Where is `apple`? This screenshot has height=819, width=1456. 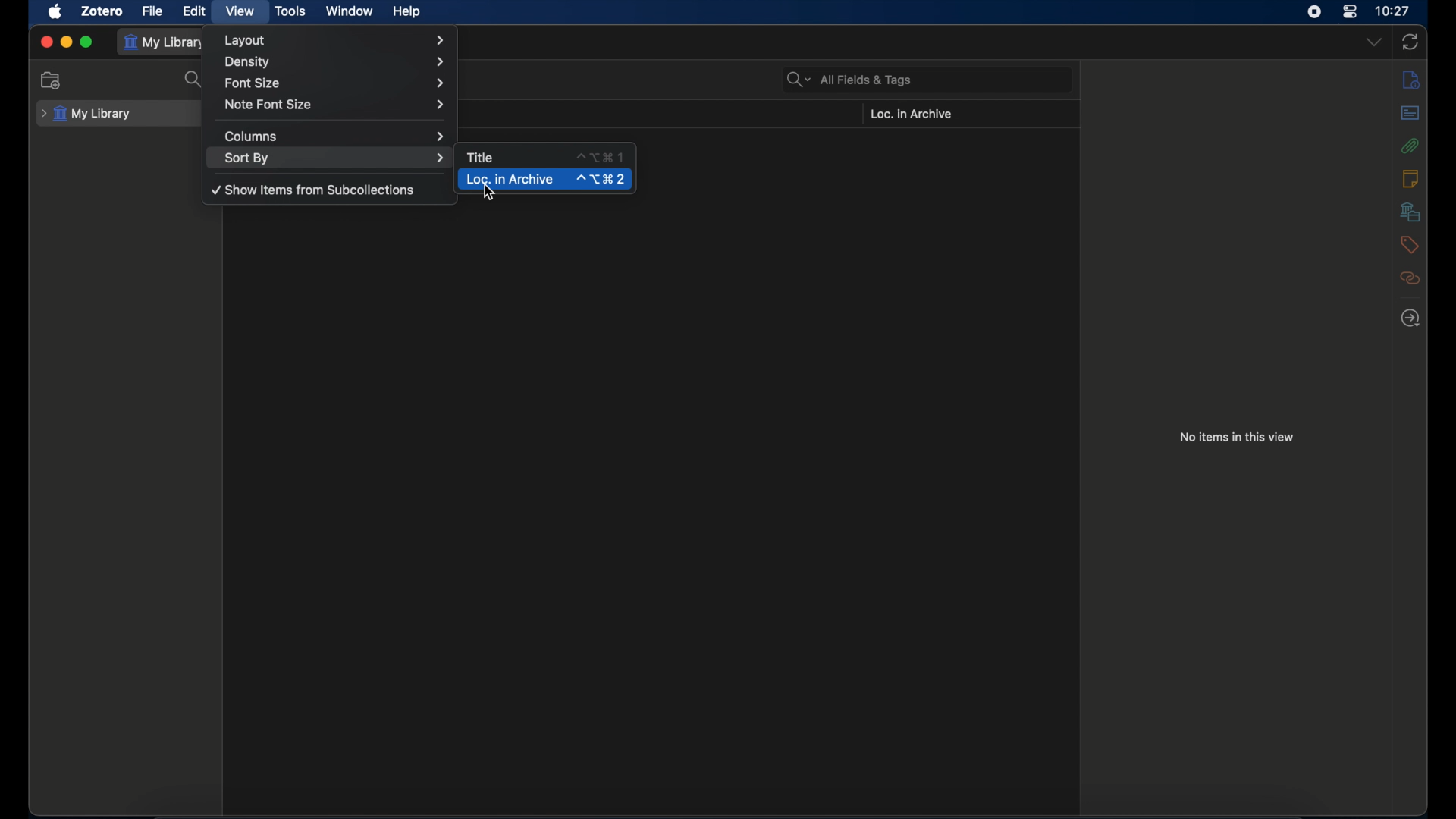 apple is located at coordinates (55, 12).